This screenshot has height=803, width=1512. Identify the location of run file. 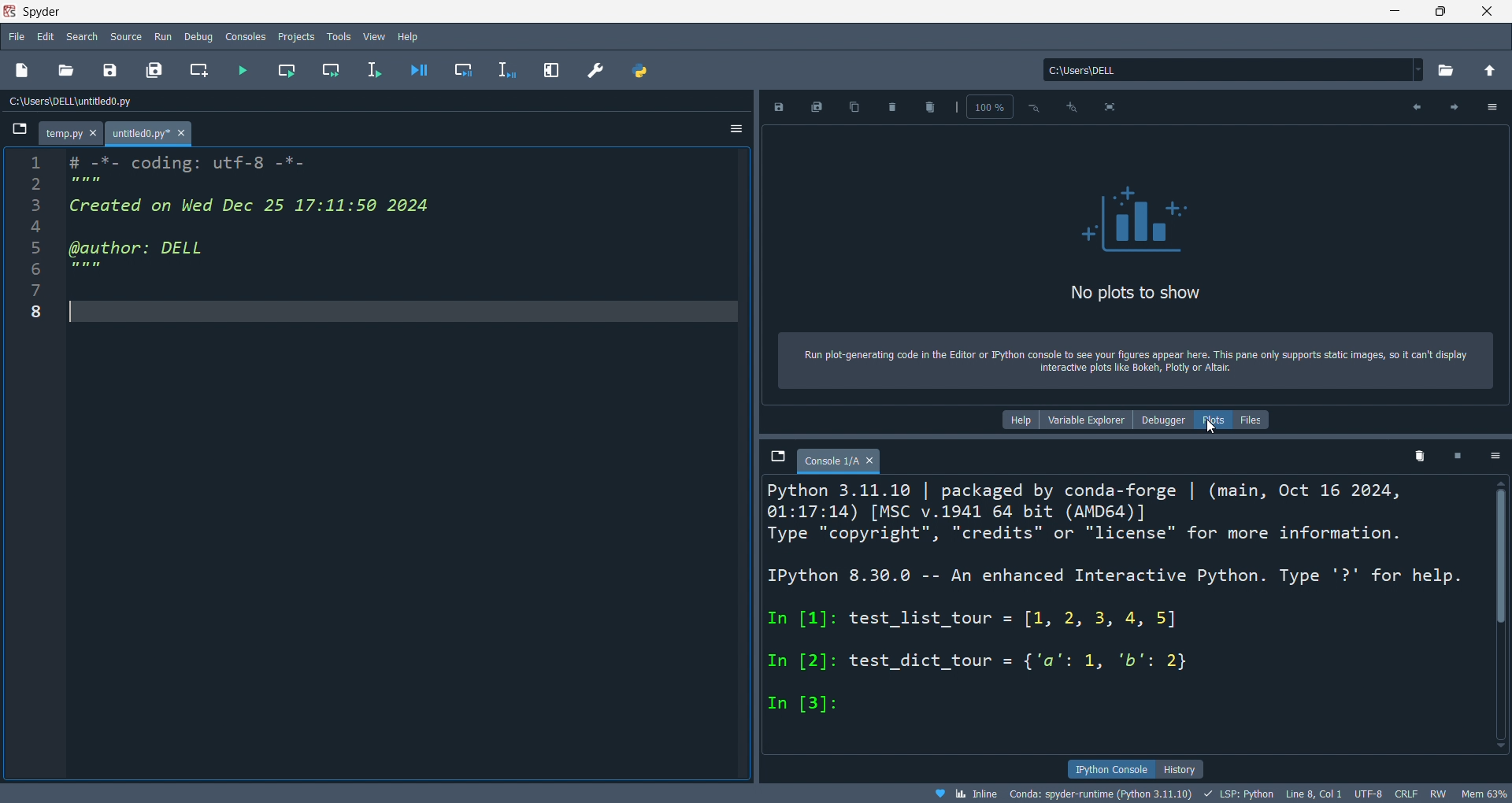
(239, 69).